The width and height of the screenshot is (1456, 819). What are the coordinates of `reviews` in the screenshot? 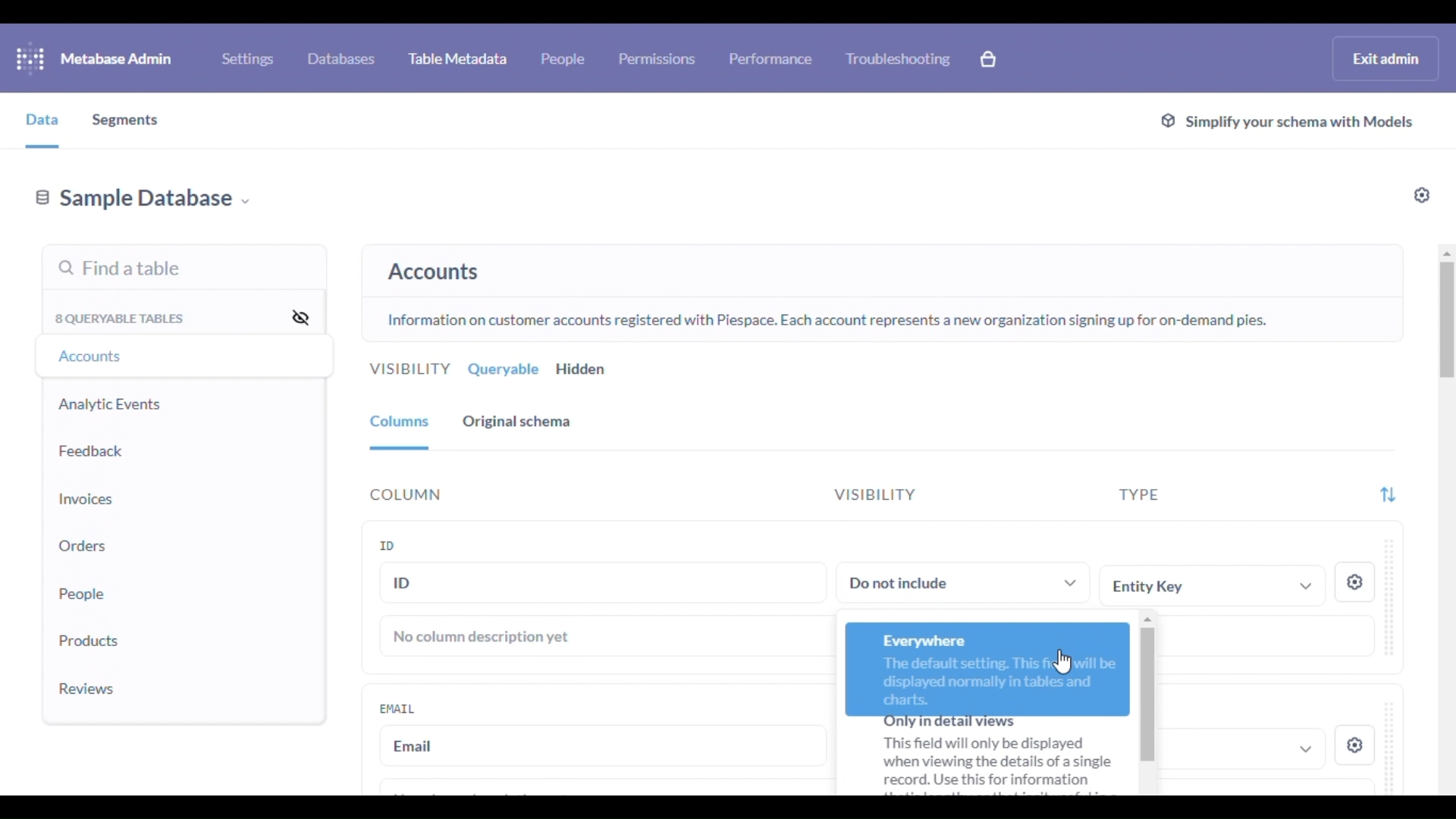 It's located at (87, 689).